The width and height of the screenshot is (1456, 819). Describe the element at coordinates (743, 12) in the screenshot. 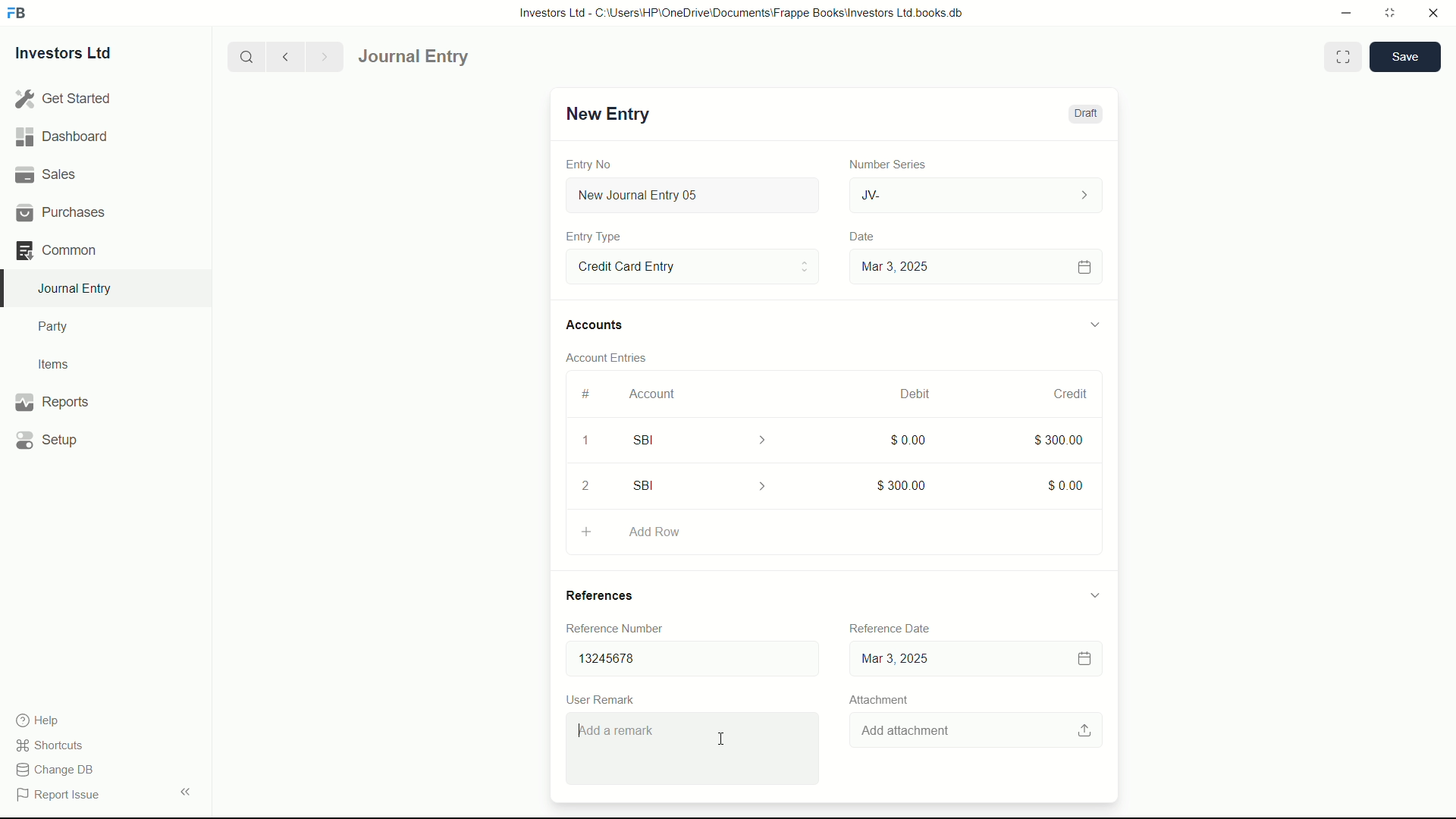

I see `Investors Ltd - C:\Users\HP\OneDrive\Documents\Frappe Books\Investors Ltd books.db` at that location.